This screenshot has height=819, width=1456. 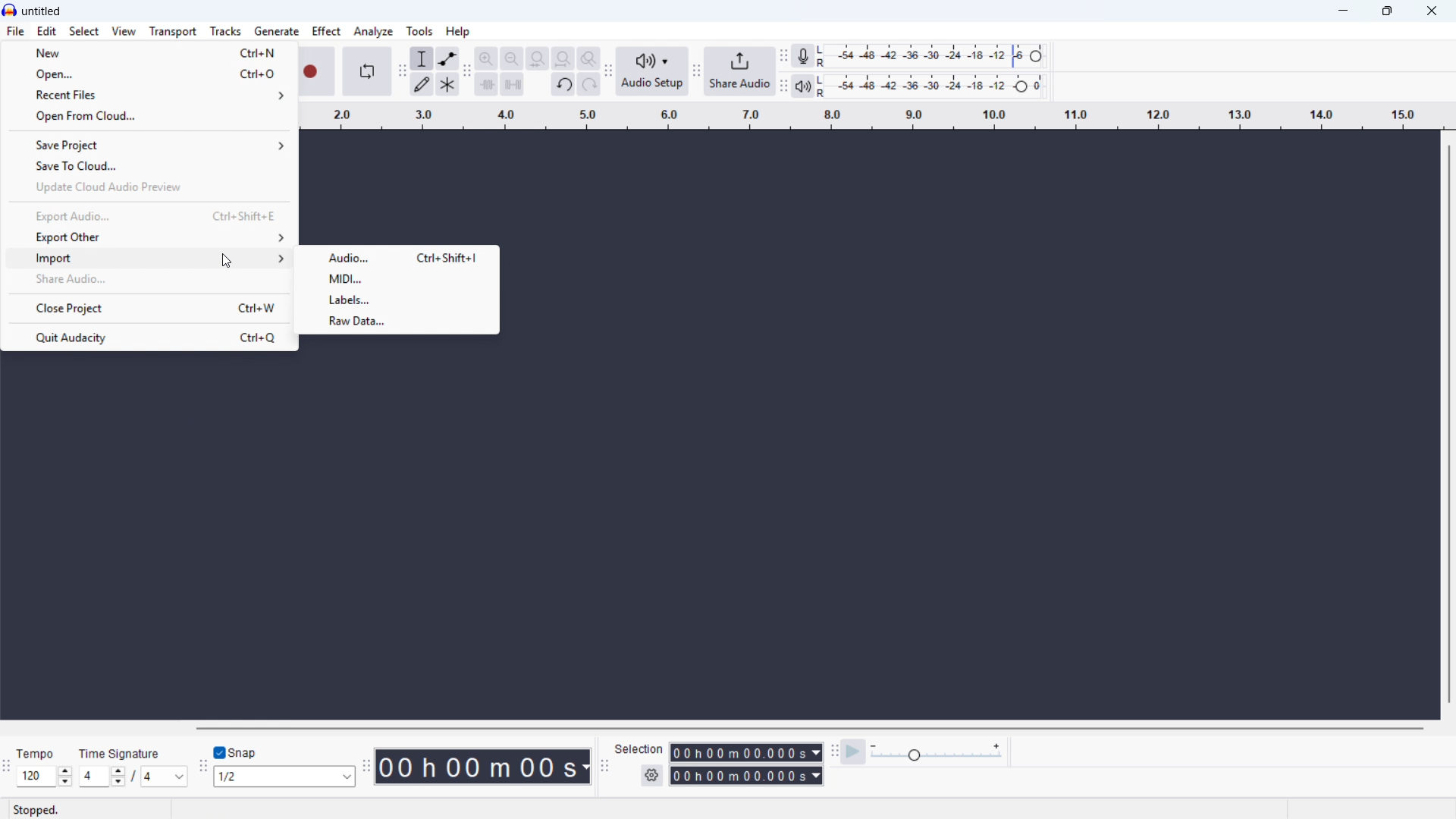 What do you see at coordinates (399, 320) in the screenshot?
I see `Raw data ` at bounding box center [399, 320].